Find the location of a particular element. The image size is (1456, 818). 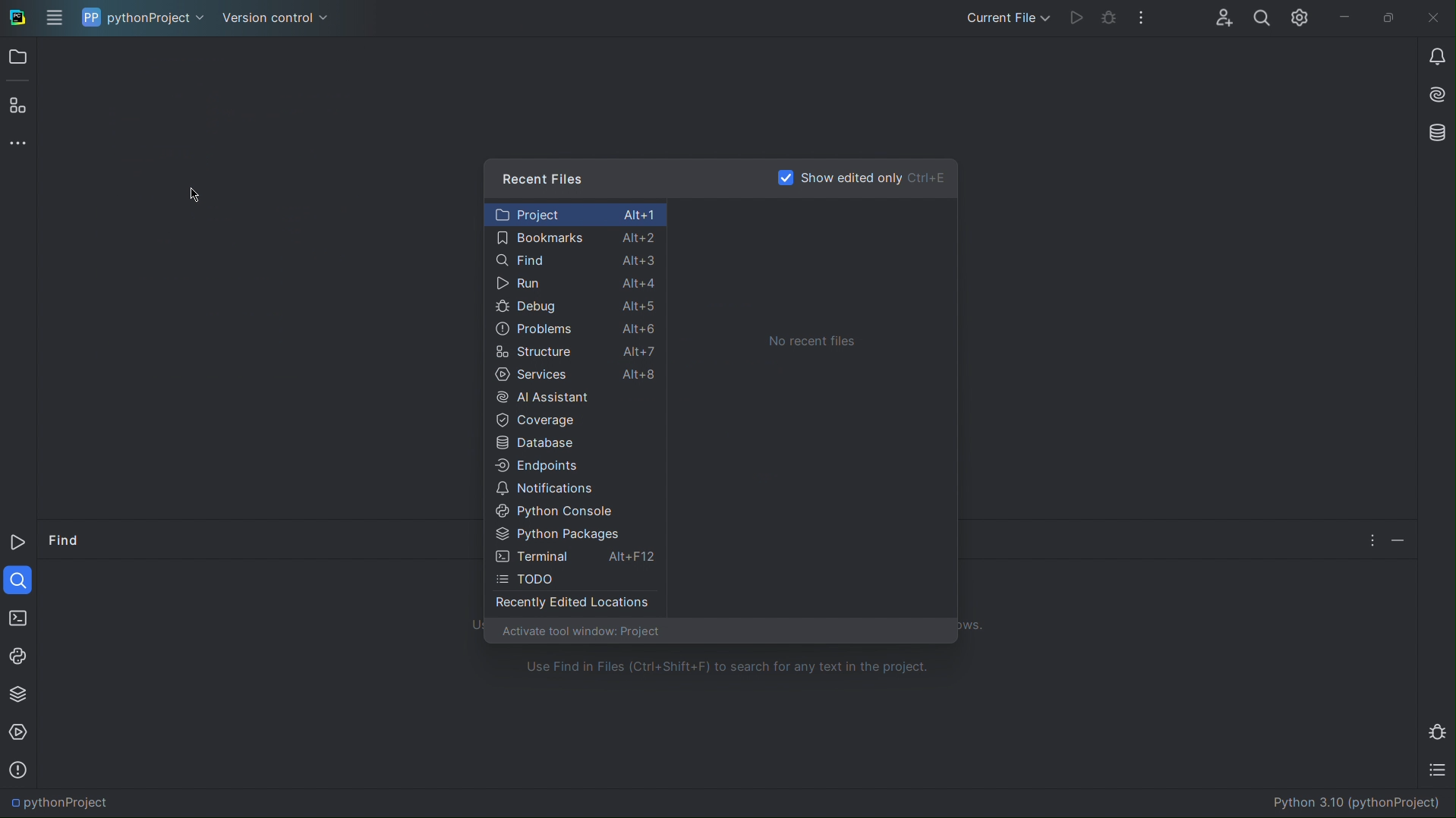

Recently Edited Locations is located at coordinates (574, 606).